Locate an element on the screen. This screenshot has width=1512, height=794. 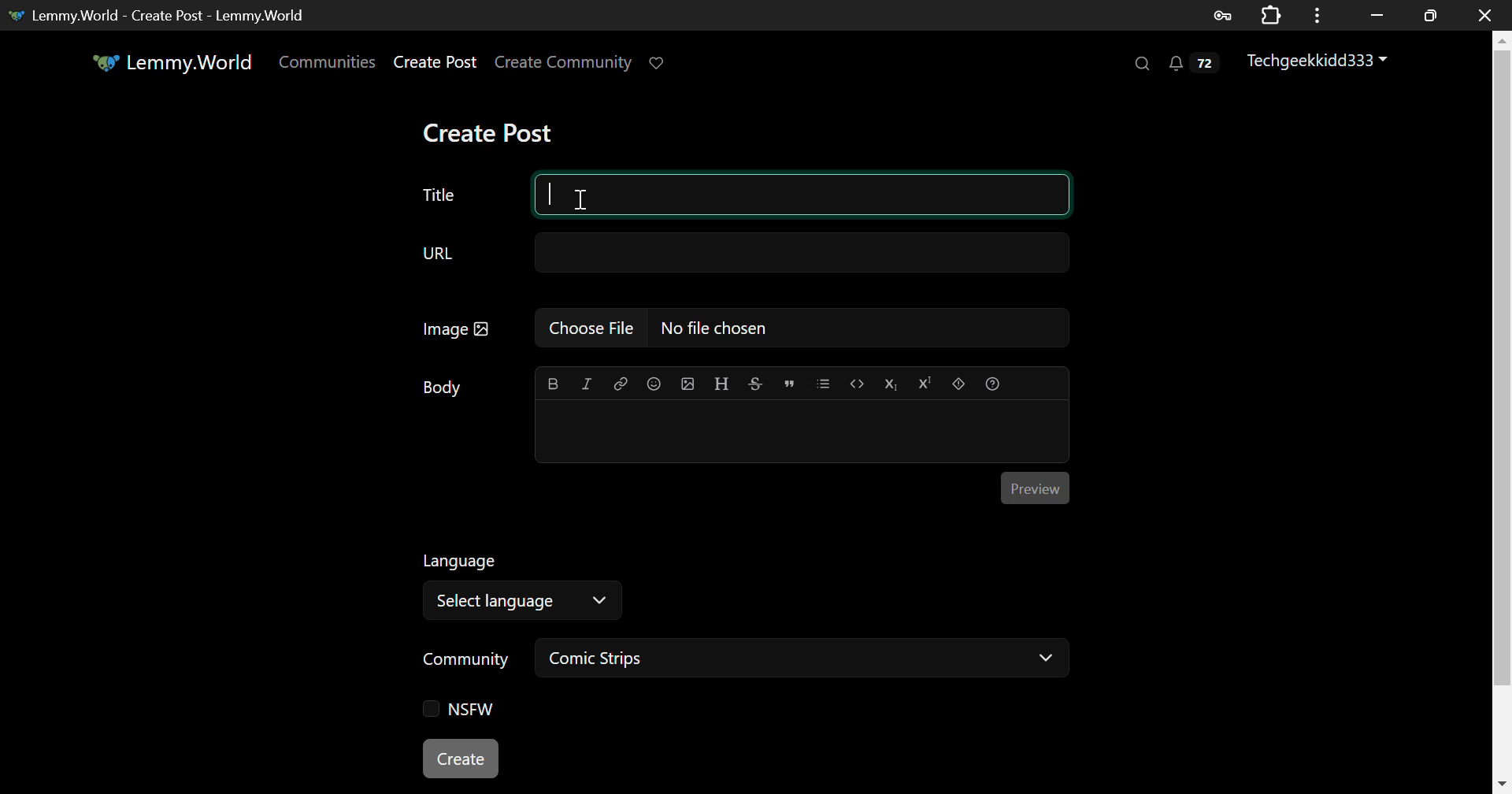
Strikethrough is located at coordinates (754, 384).